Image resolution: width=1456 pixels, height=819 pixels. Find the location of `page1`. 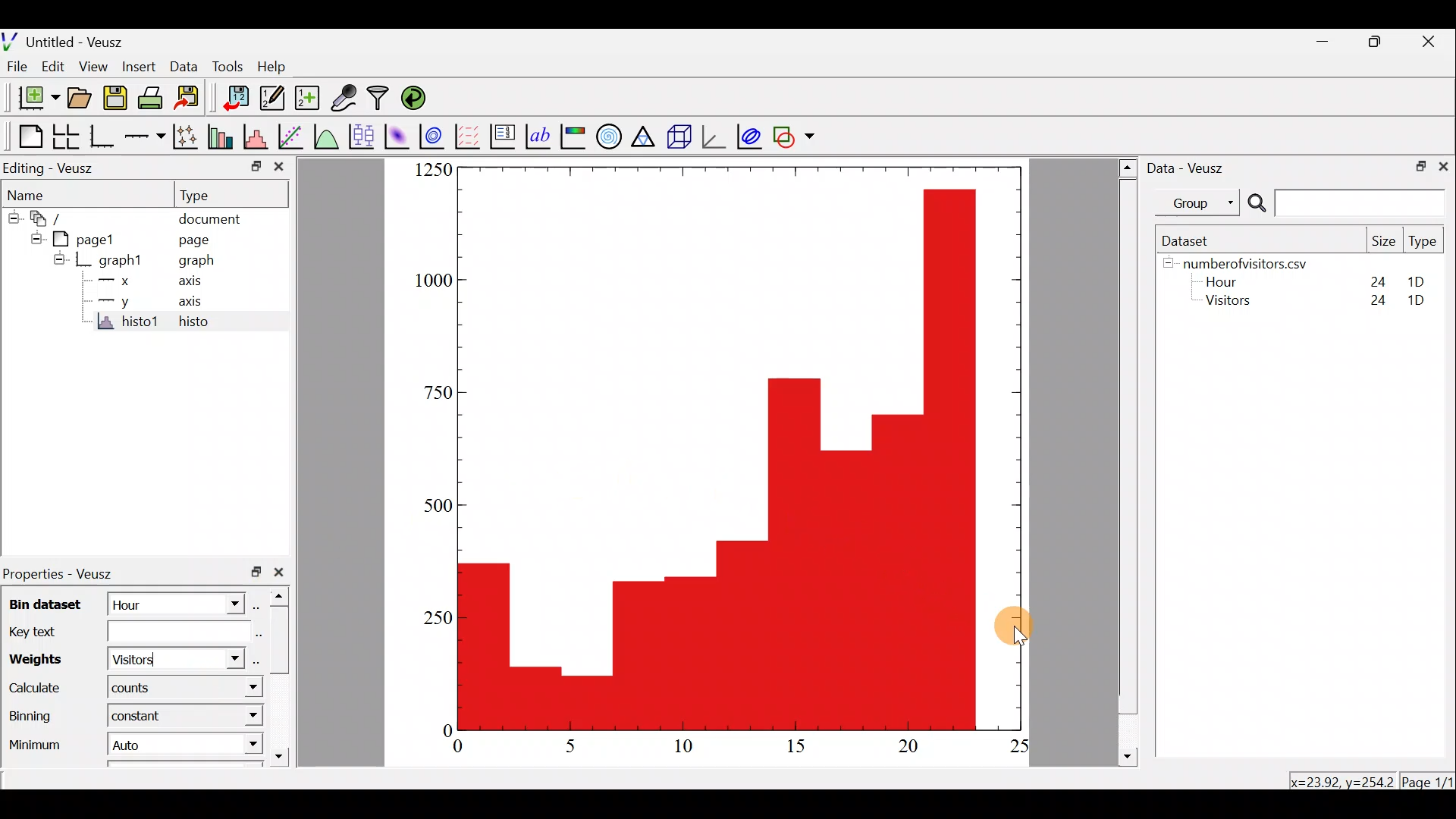

page1 is located at coordinates (90, 240).